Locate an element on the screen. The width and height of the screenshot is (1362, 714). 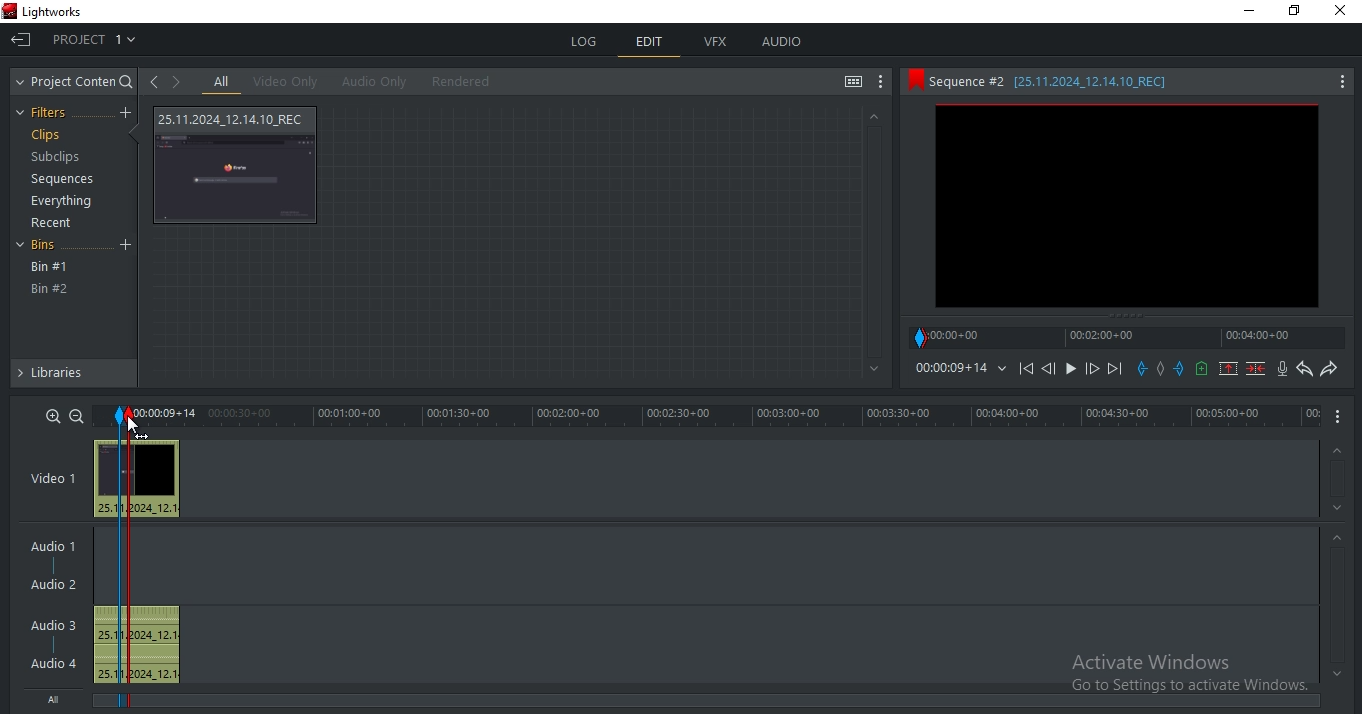
Close is located at coordinates (1341, 17).